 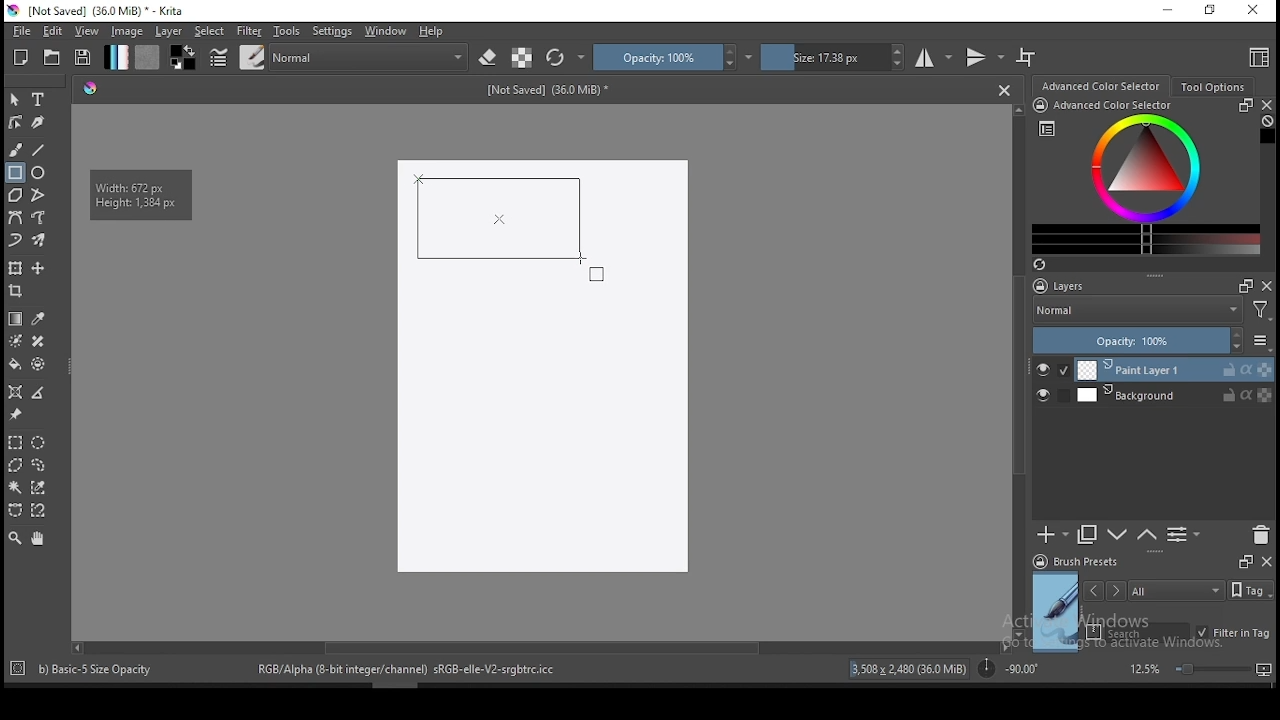 I want to click on Target, so click(x=19, y=669).